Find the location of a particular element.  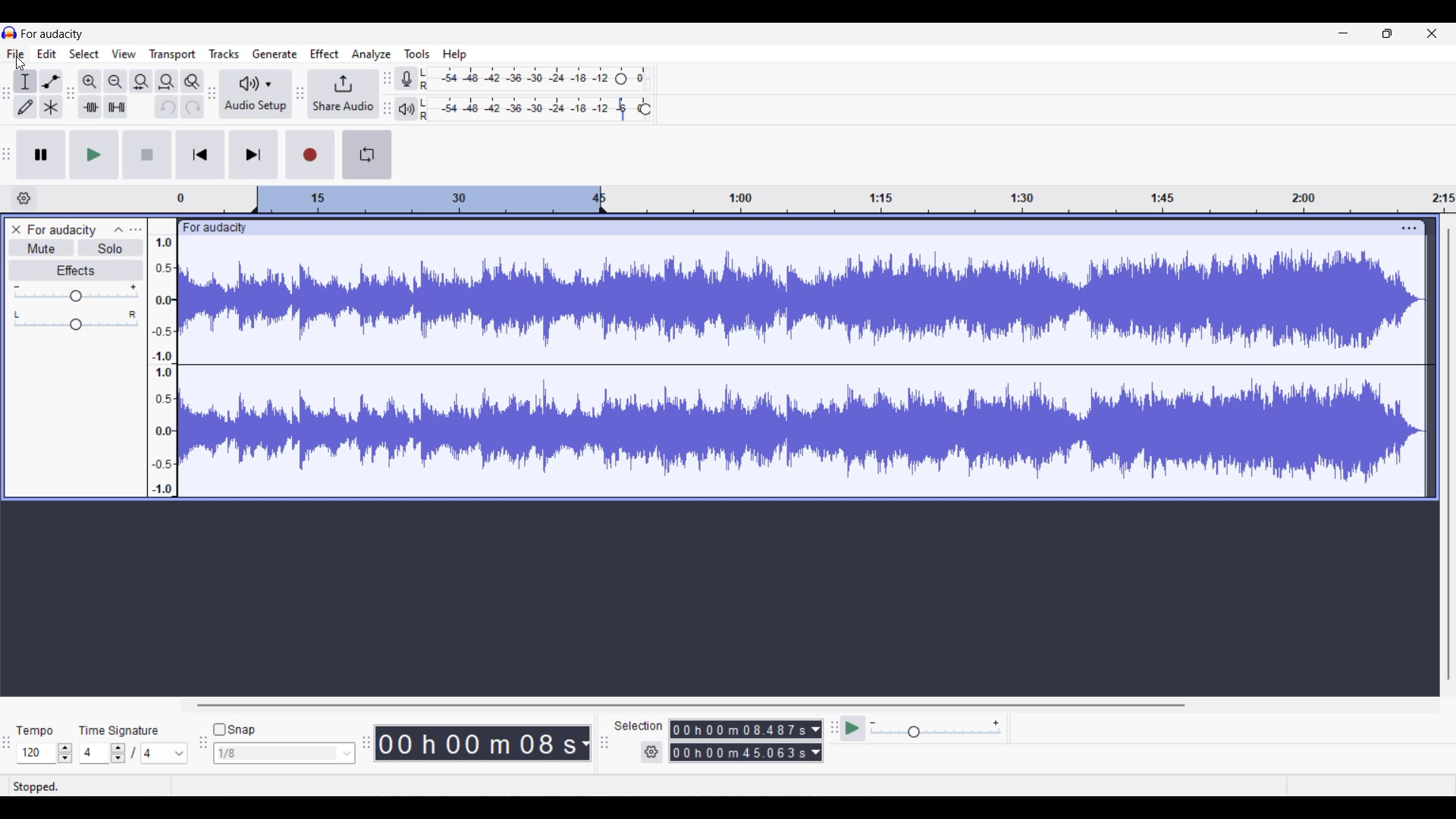

Stop is located at coordinates (147, 154).